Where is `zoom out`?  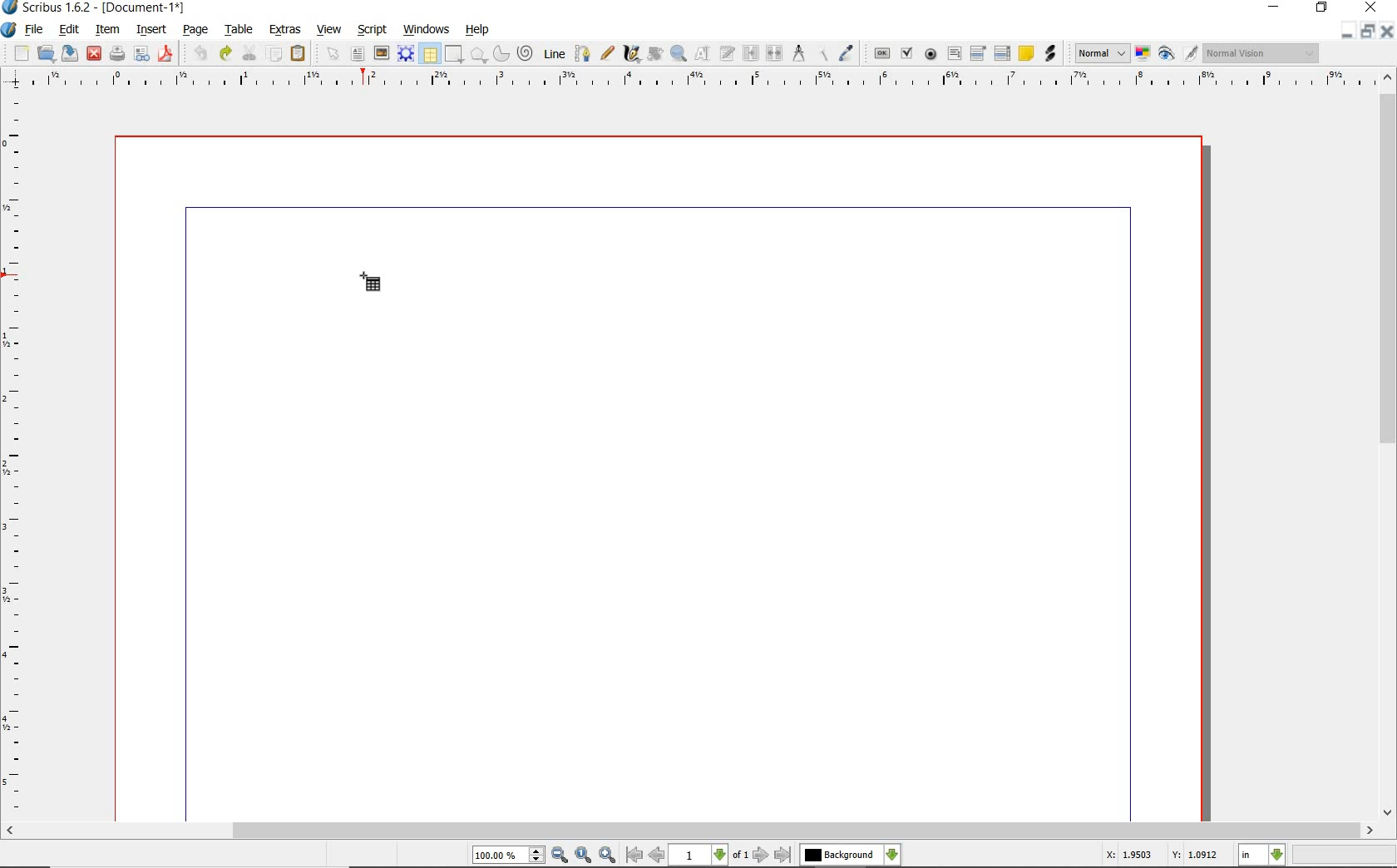
zoom out is located at coordinates (560, 856).